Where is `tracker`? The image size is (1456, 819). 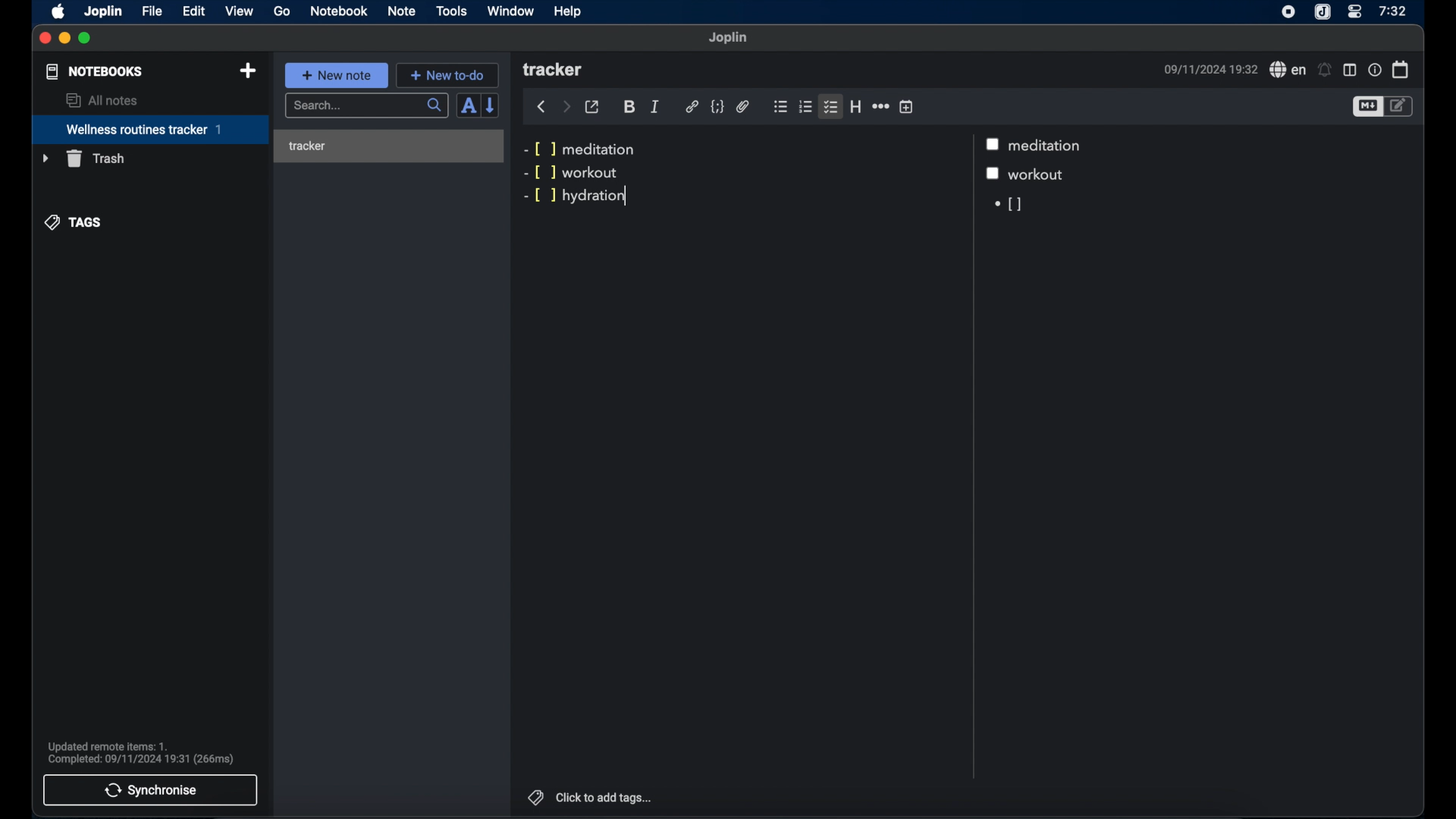 tracker is located at coordinates (554, 71).